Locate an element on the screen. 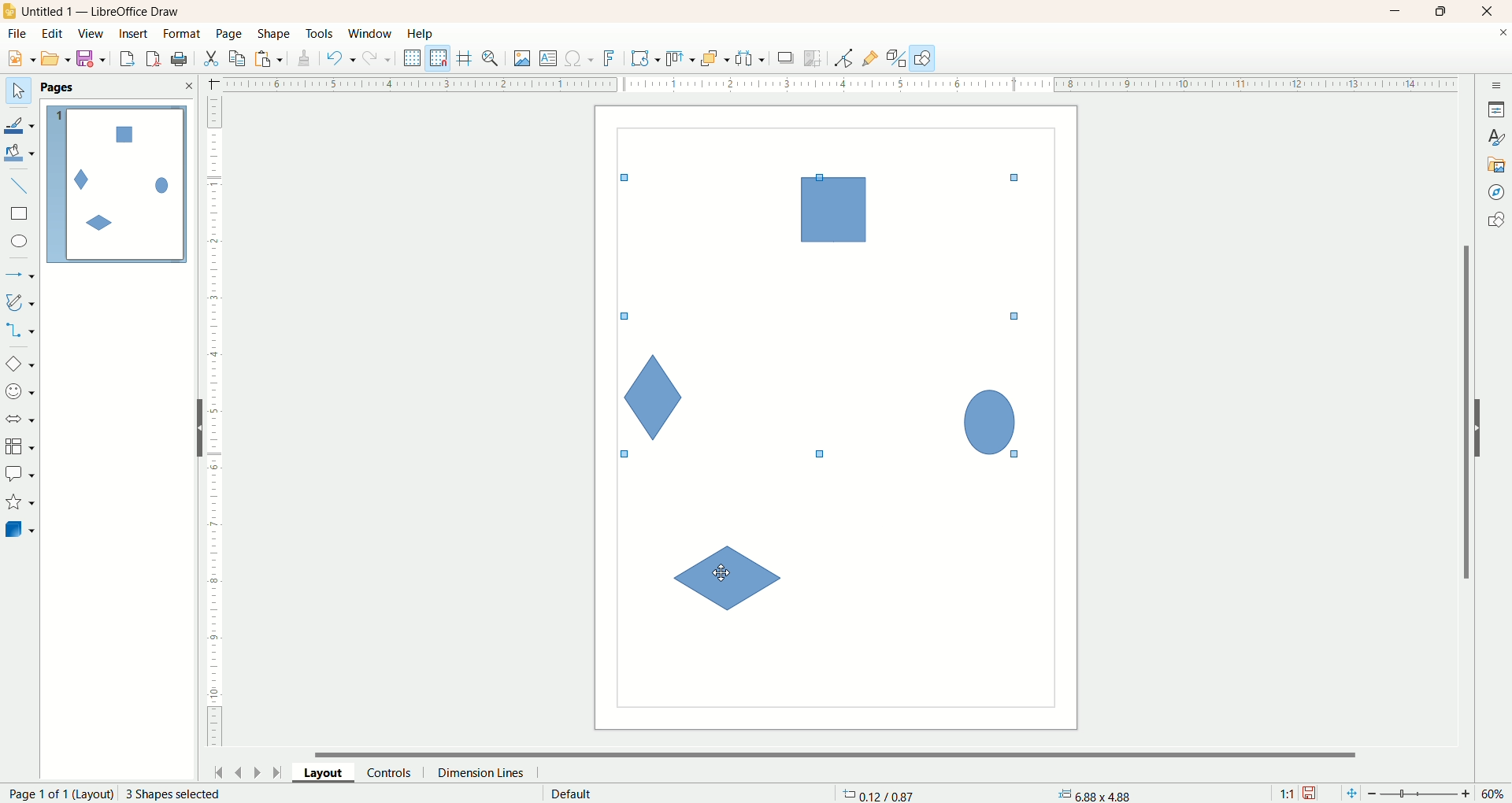 Image resolution: width=1512 pixels, height=803 pixels. paste is located at coordinates (272, 57).